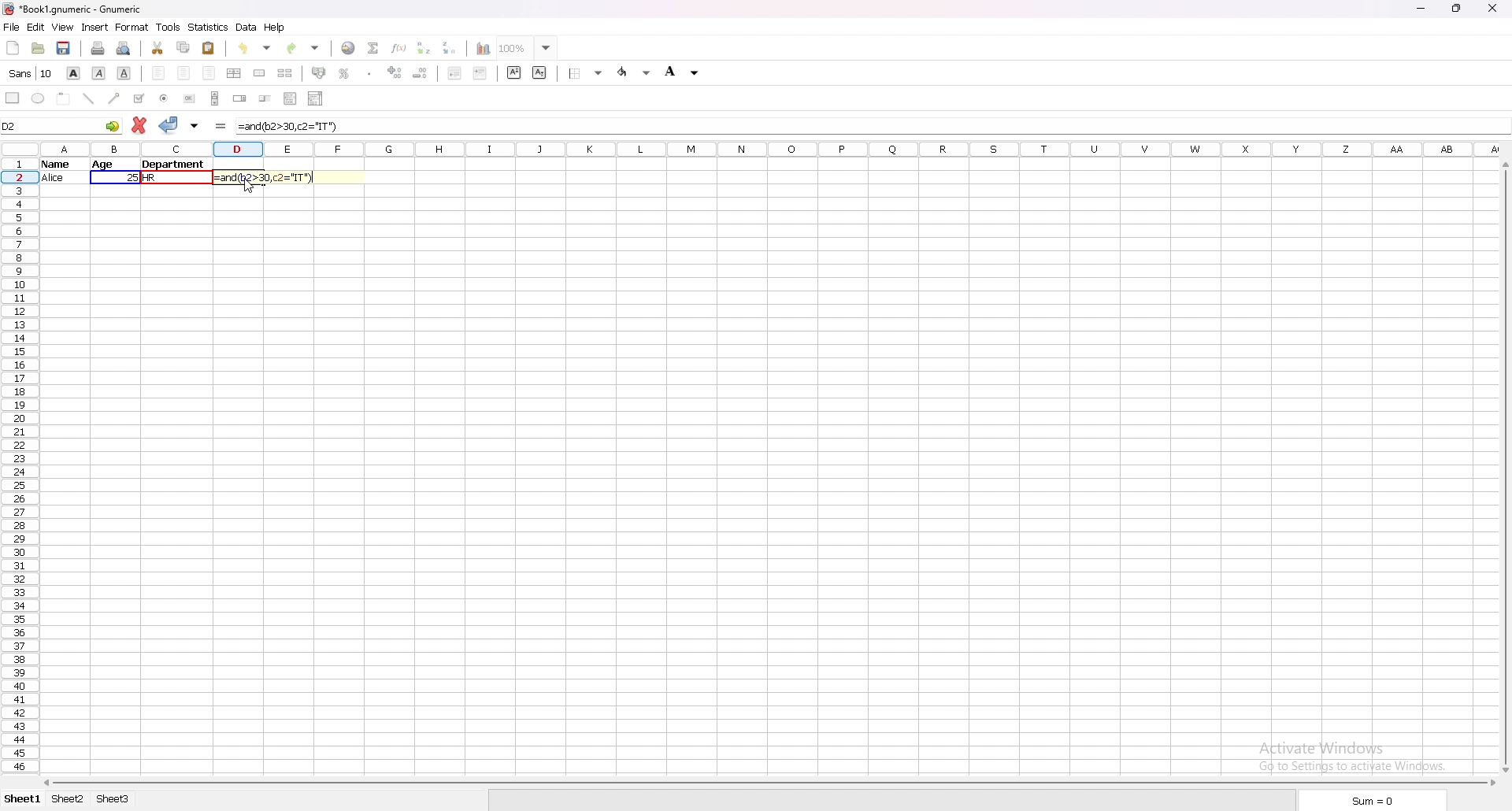 Image resolution: width=1512 pixels, height=811 pixels. I want to click on sheet, so click(66, 799).